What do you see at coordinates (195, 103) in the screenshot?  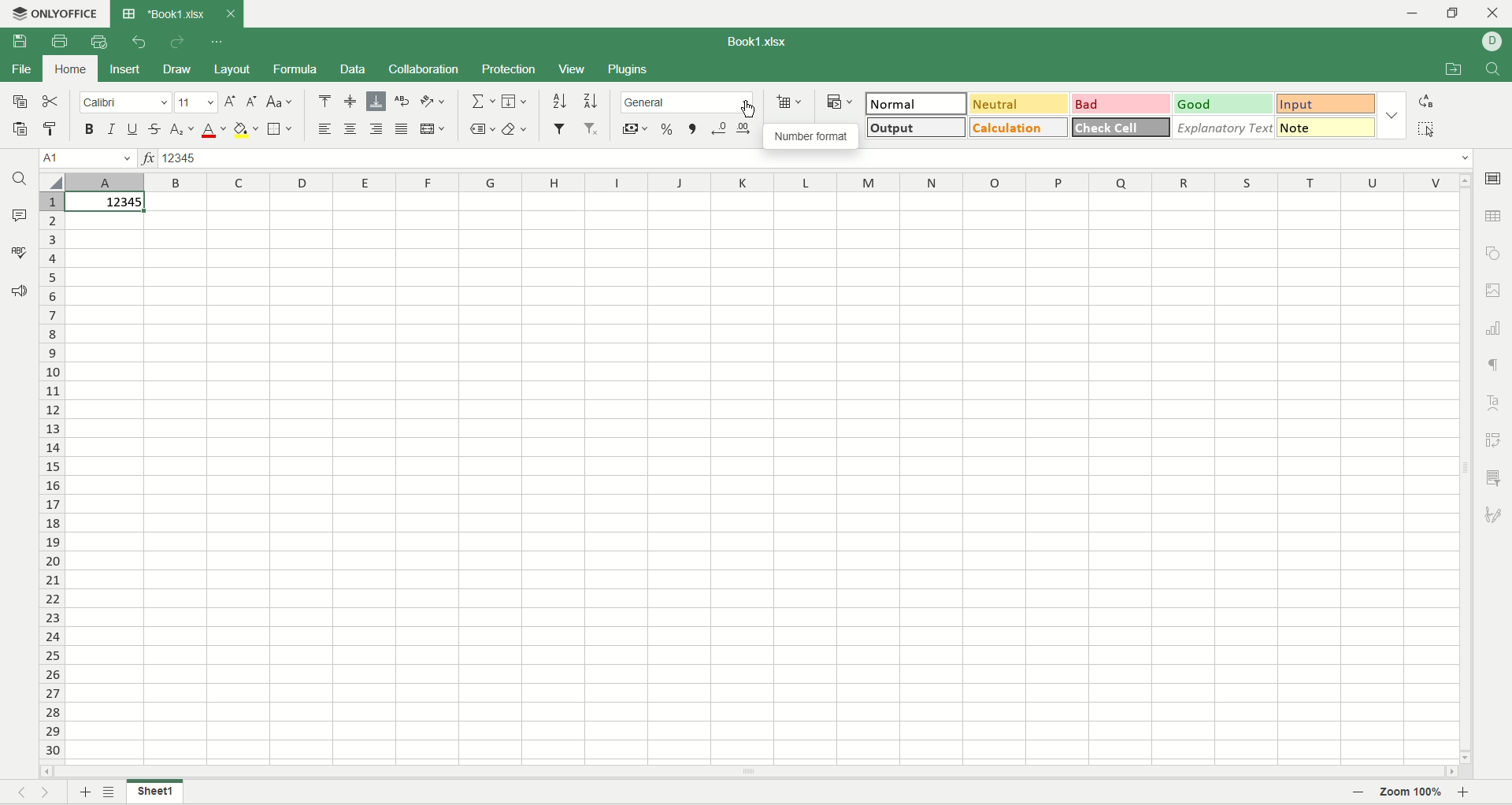 I see `font size` at bounding box center [195, 103].